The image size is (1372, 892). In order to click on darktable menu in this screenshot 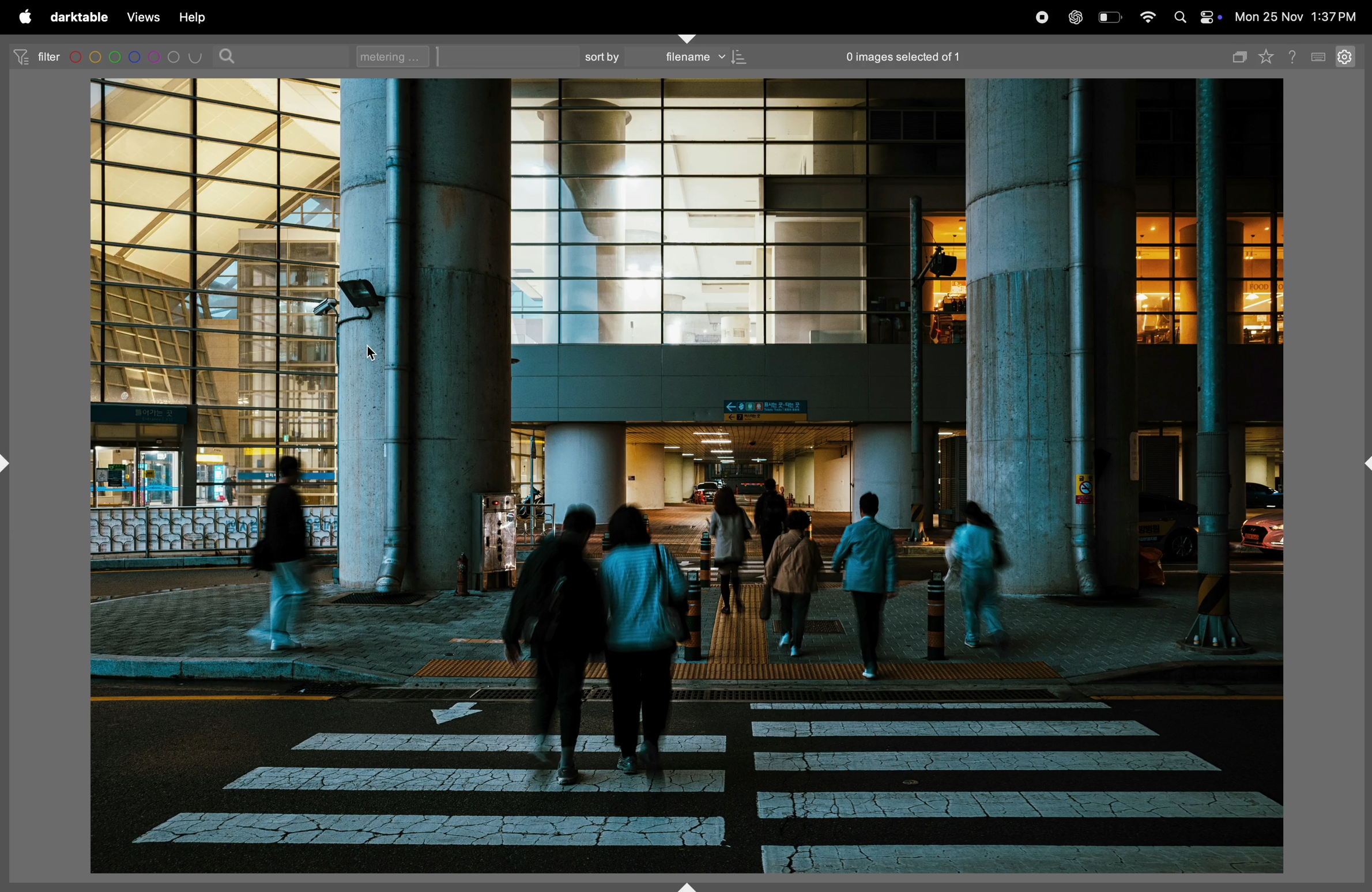, I will do `click(79, 17)`.